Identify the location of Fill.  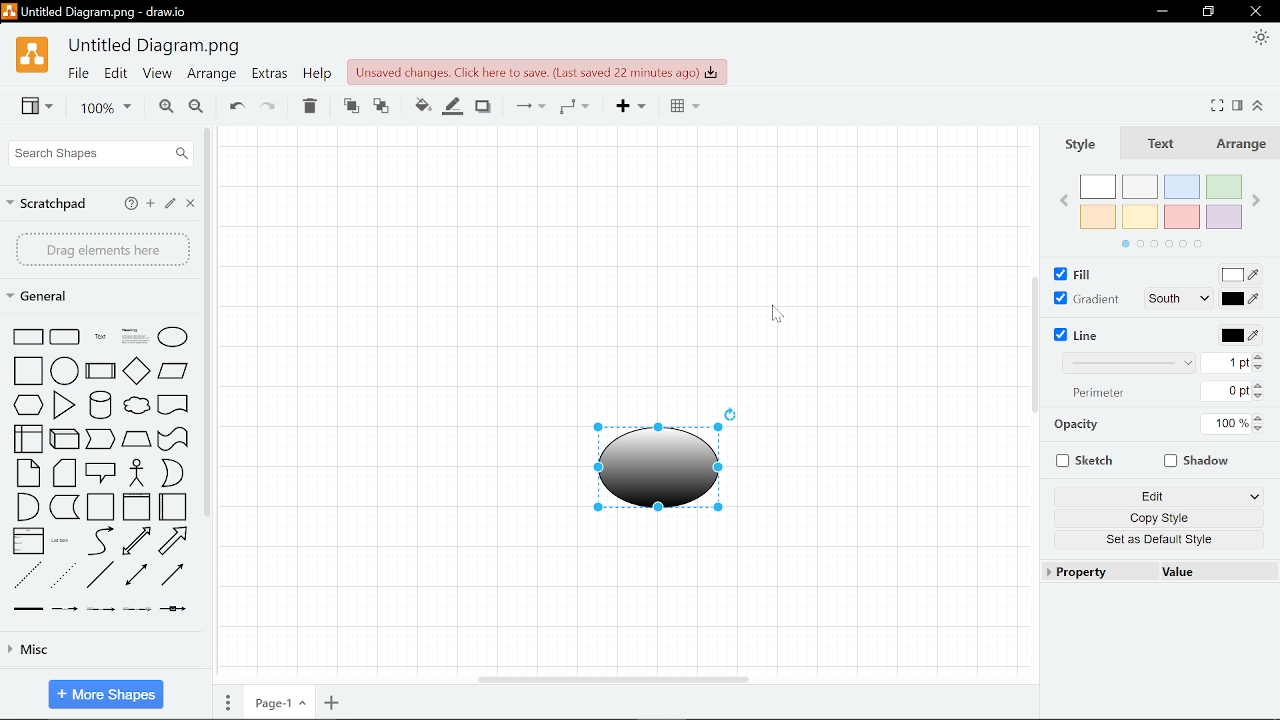
(1070, 273).